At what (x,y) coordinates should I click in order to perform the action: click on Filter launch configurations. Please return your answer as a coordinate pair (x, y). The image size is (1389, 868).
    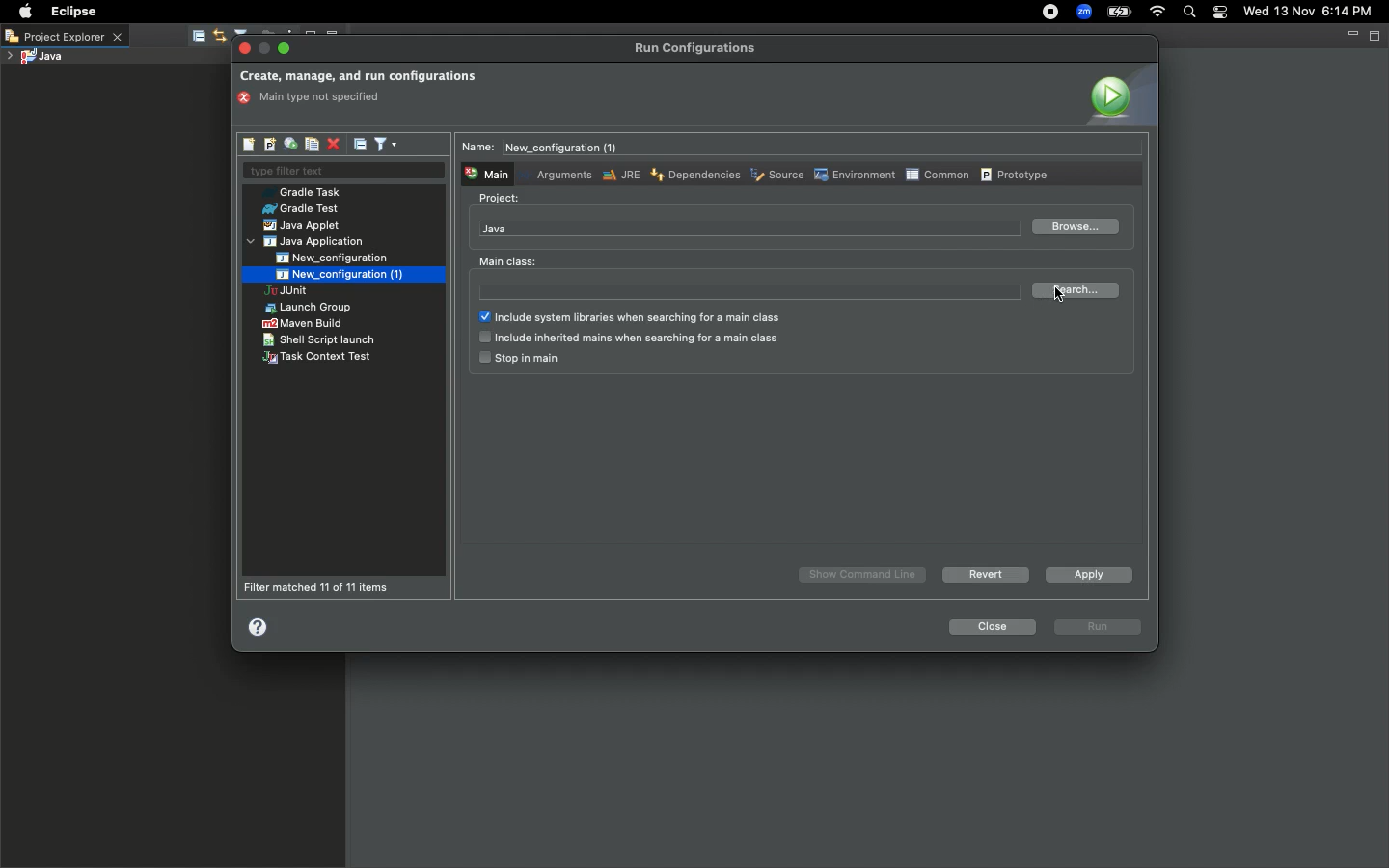
    Looking at the image, I should click on (385, 143).